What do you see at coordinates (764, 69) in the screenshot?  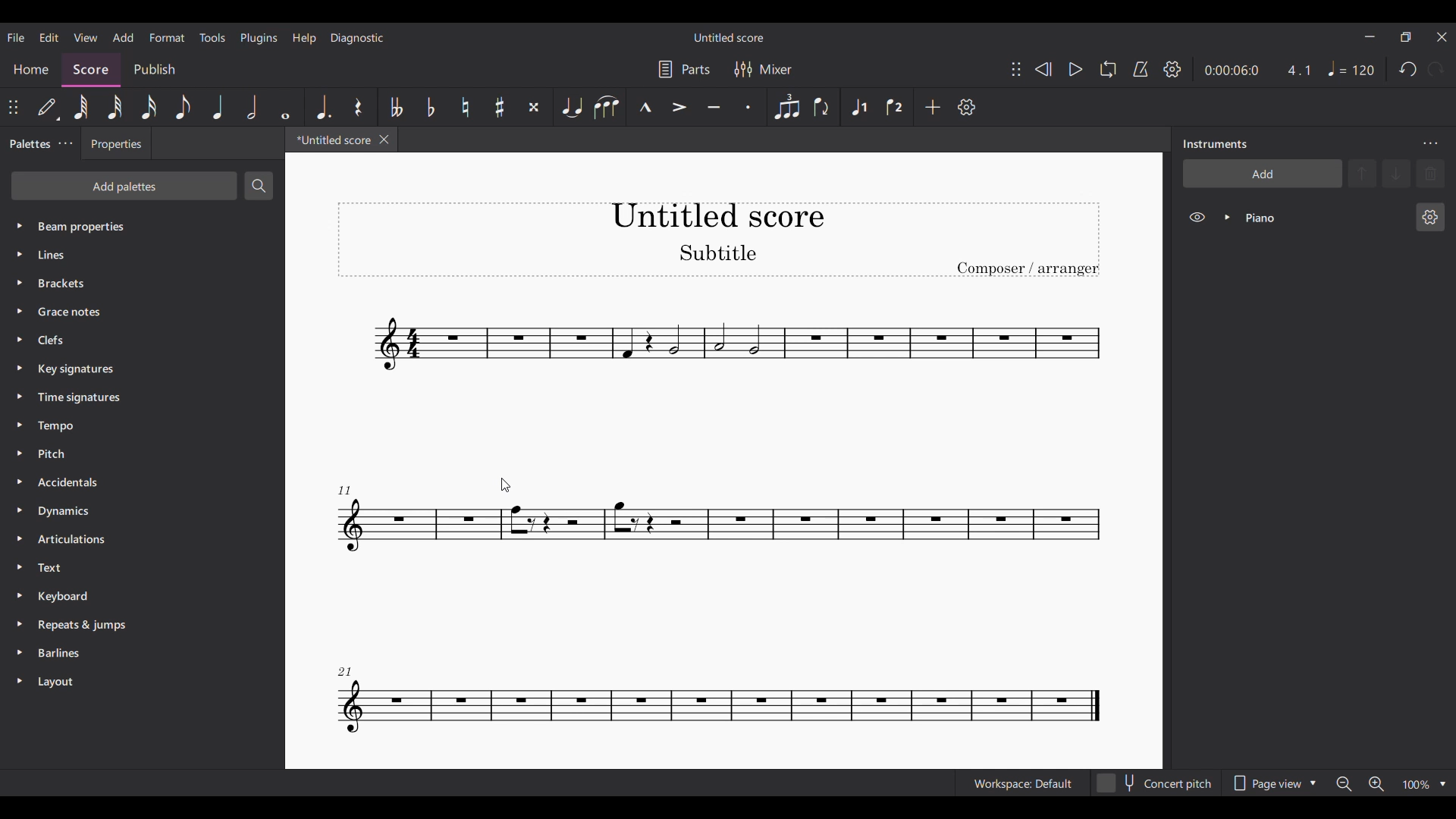 I see `Mixer settings` at bounding box center [764, 69].